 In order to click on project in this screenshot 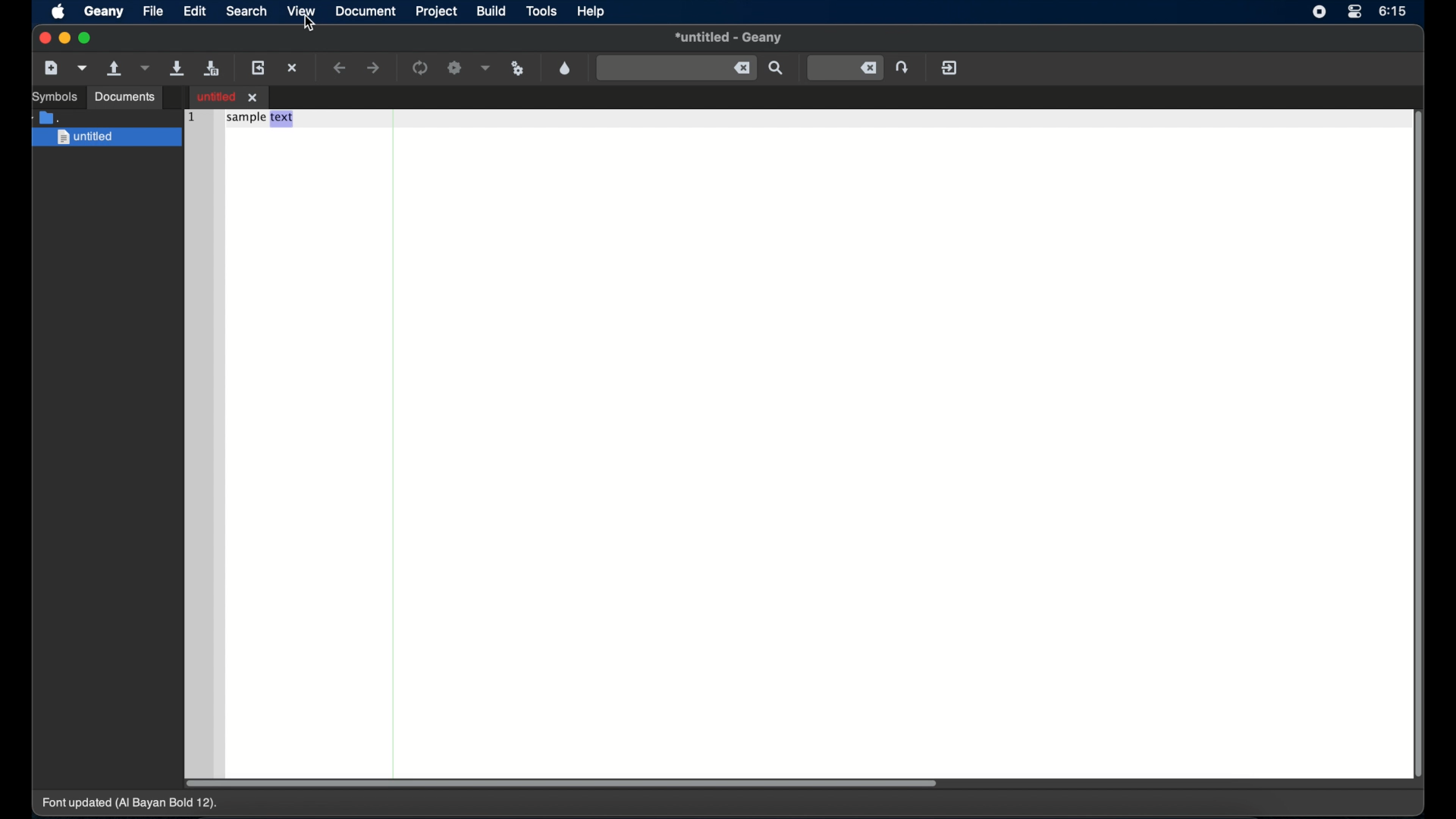, I will do `click(435, 11)`.